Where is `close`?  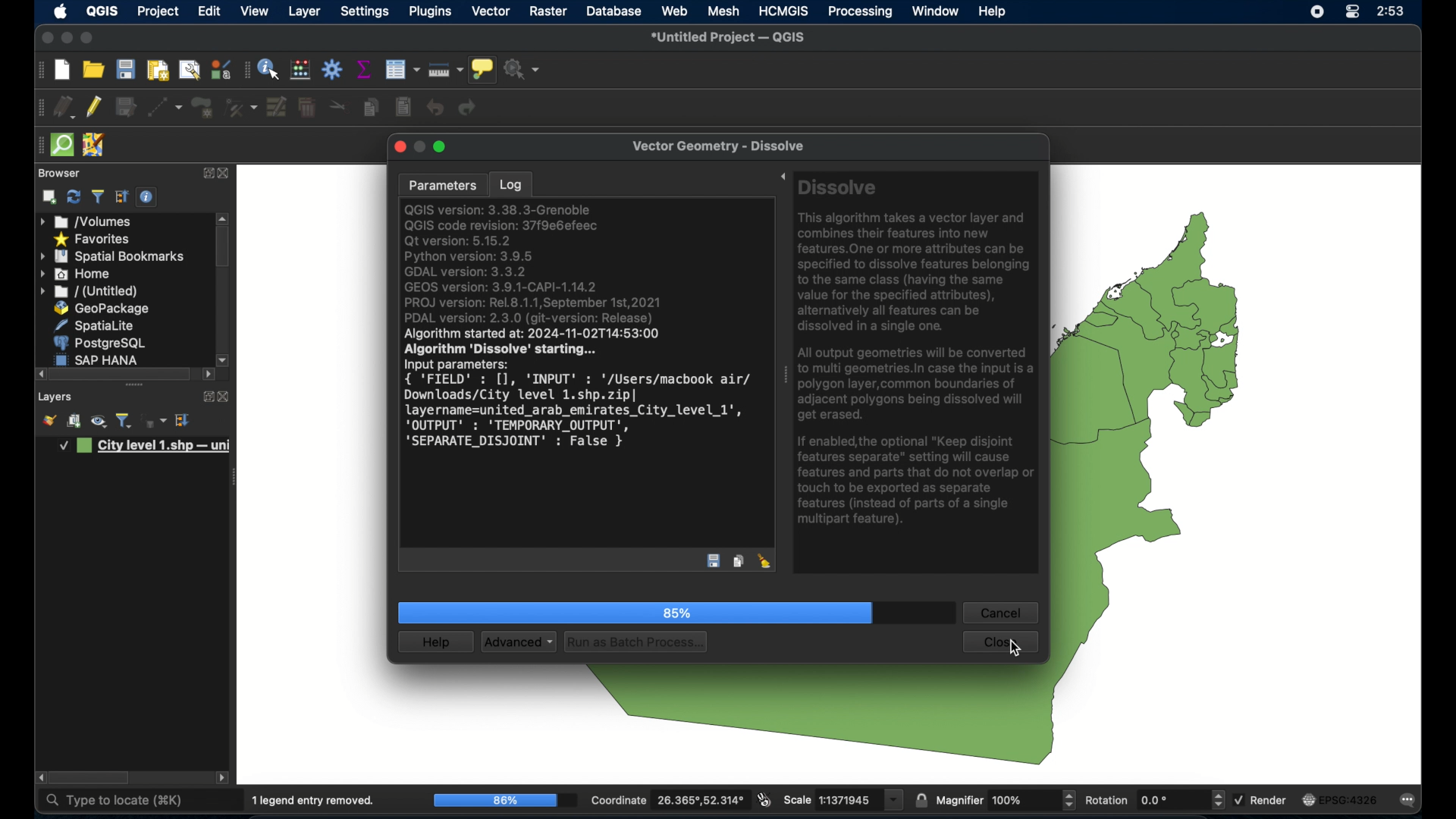 close is located at coordinates (398, 148).